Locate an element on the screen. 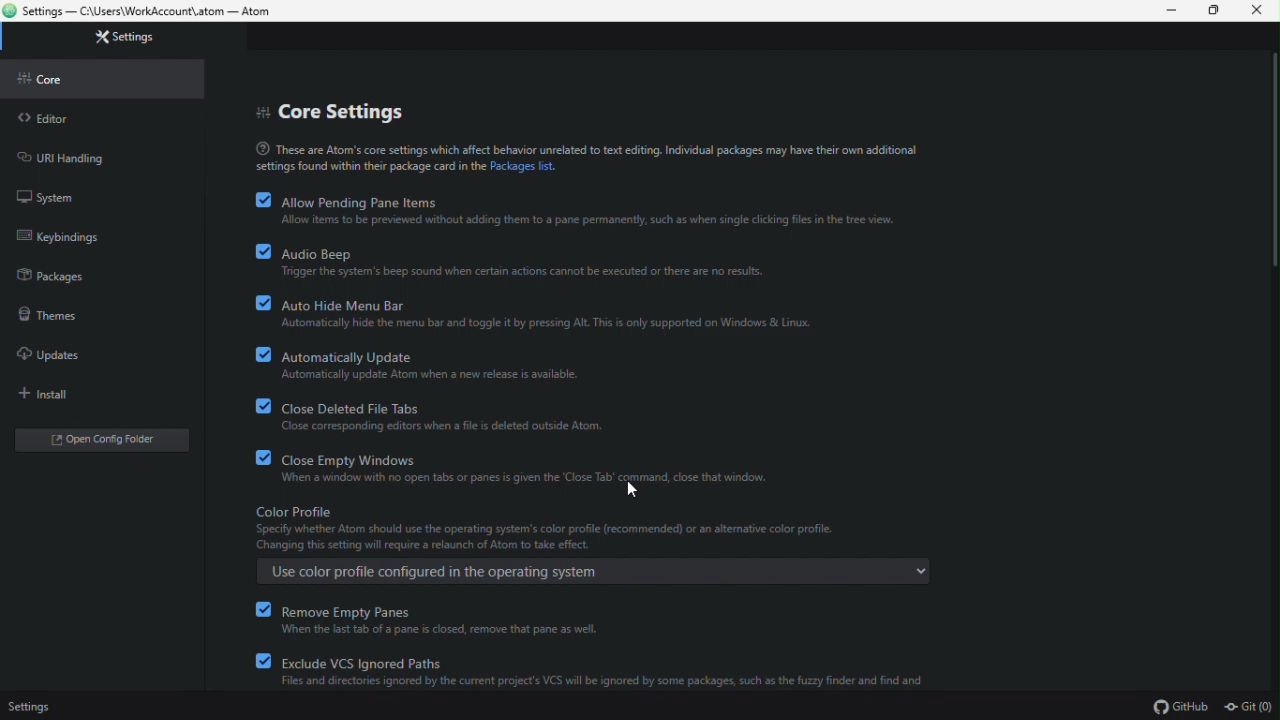 The width and height of the screenshot is (1280, 720). system is located at coordinates (45, 195).